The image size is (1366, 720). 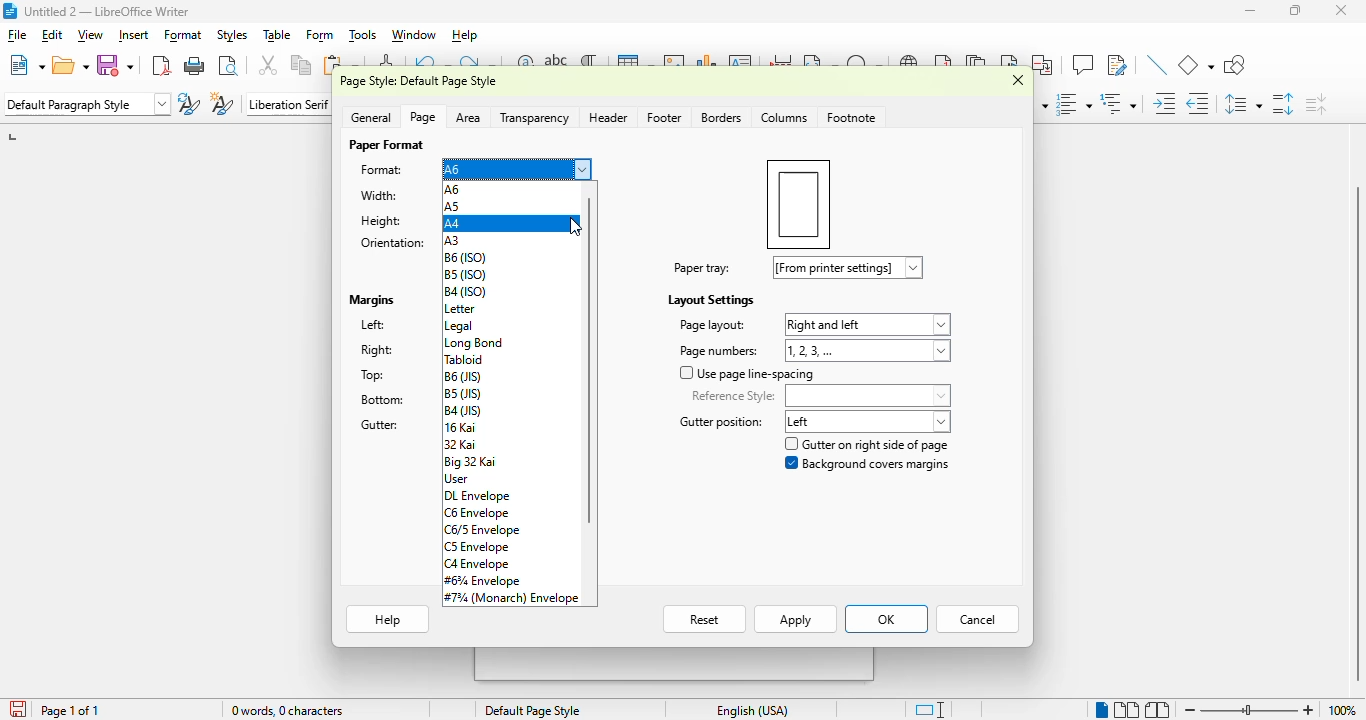 I want to click on user, so click(x=459, y=478).